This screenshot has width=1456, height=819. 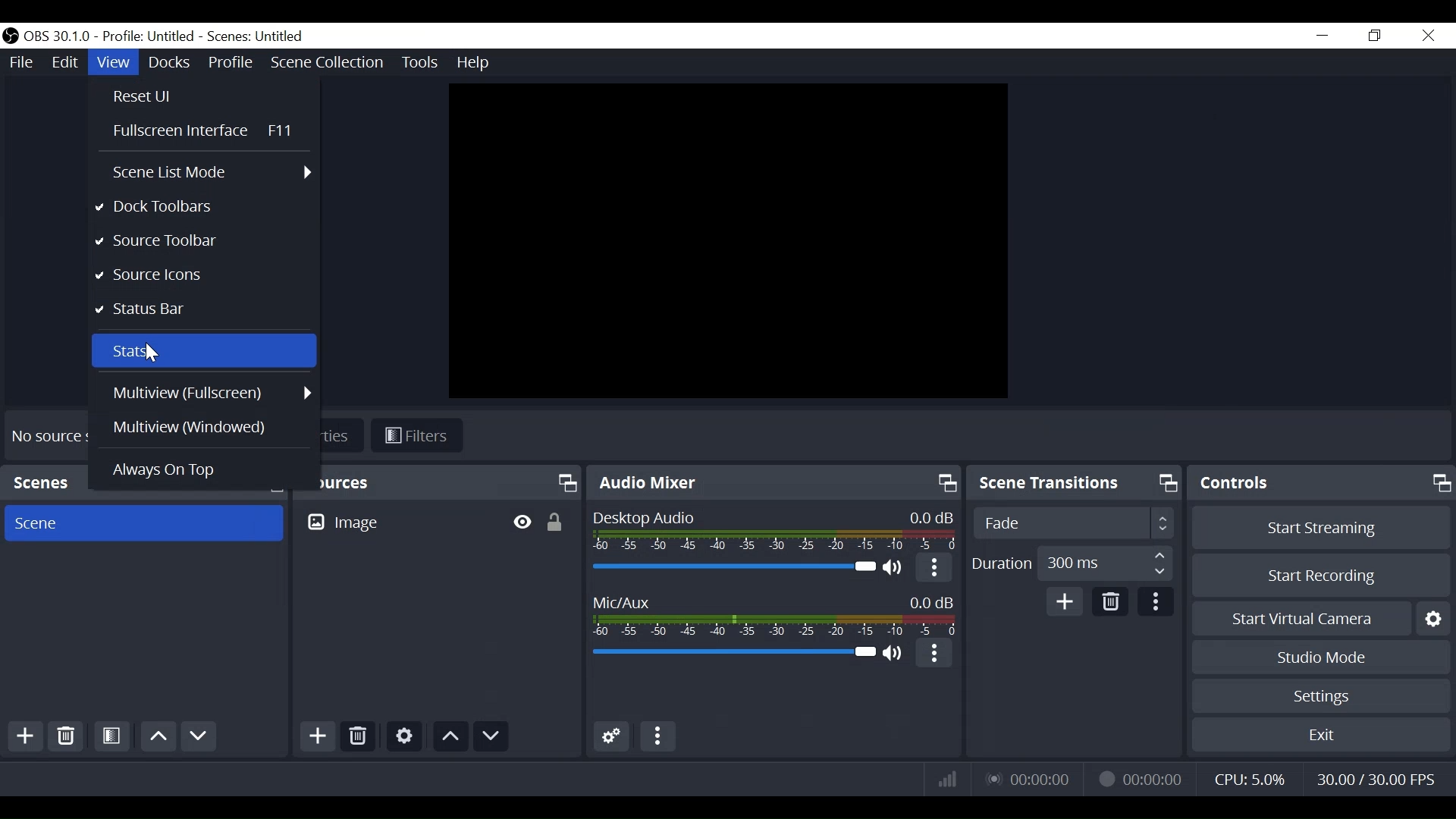 What do you see at coordinates (1323, 483) in the screenshot?
I see `Controls` at bounding box center [1323, 483].